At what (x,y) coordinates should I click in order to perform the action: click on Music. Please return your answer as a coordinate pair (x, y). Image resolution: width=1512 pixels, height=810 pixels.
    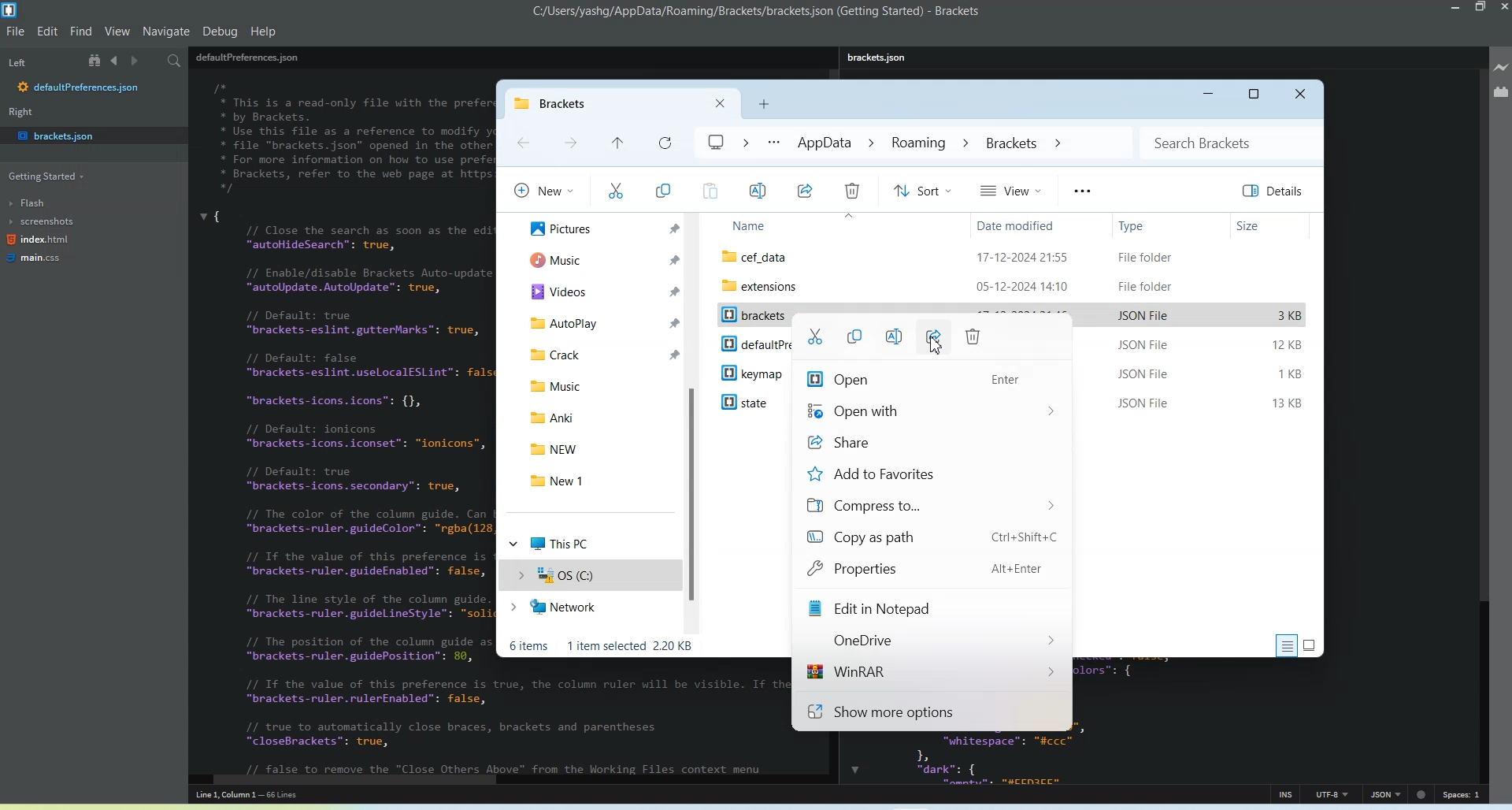
    Looking at the image, I should click on (598, 384).